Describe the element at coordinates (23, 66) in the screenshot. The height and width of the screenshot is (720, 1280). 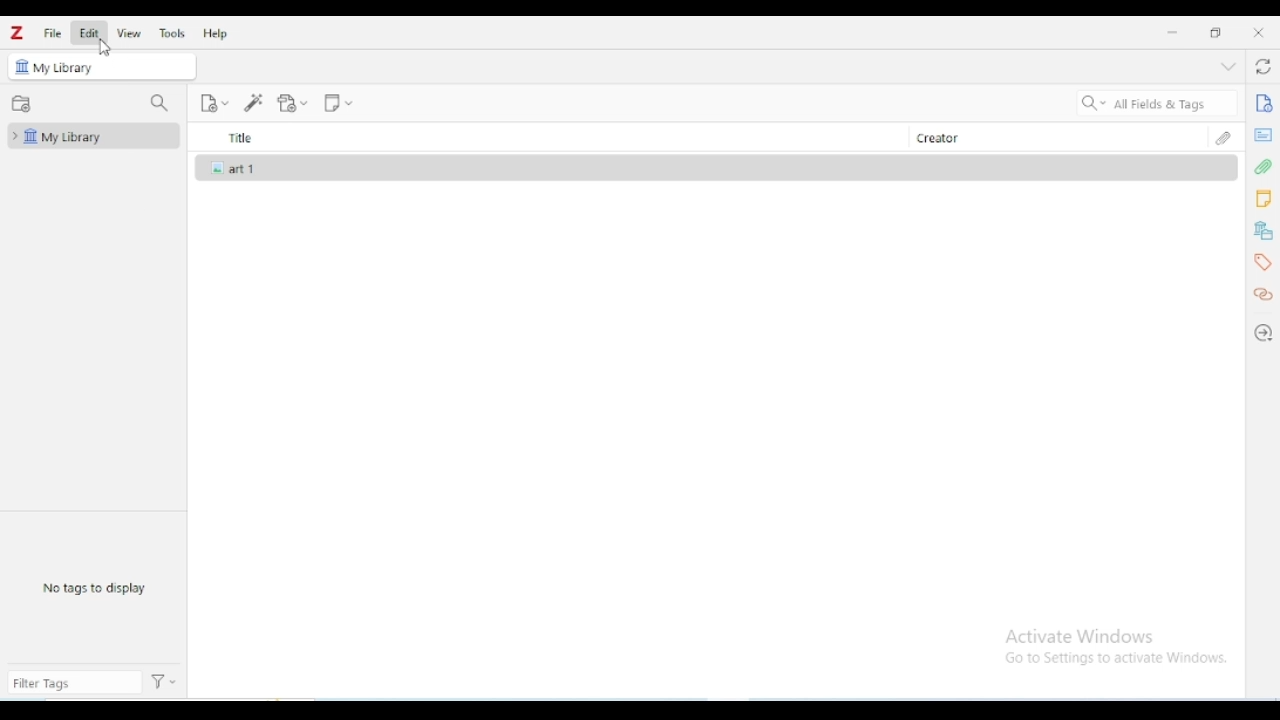
I see `icon` at that location.